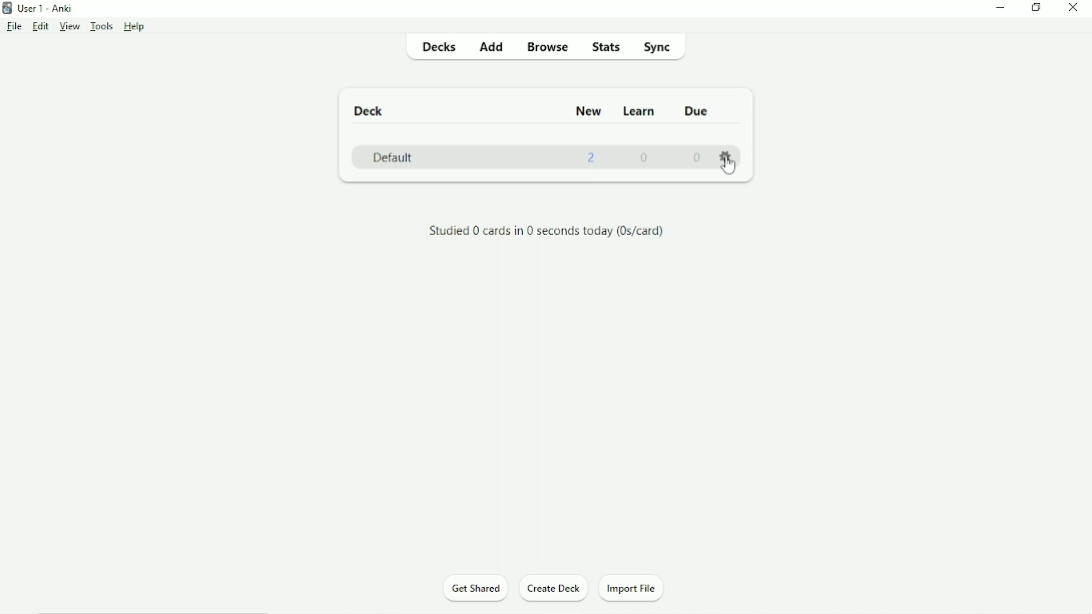 This screenshot has height=614, width=1092. What do you see at coordinates (729, 153) in the screenshot?
I see `Settings` at bounding box center [729, 153].